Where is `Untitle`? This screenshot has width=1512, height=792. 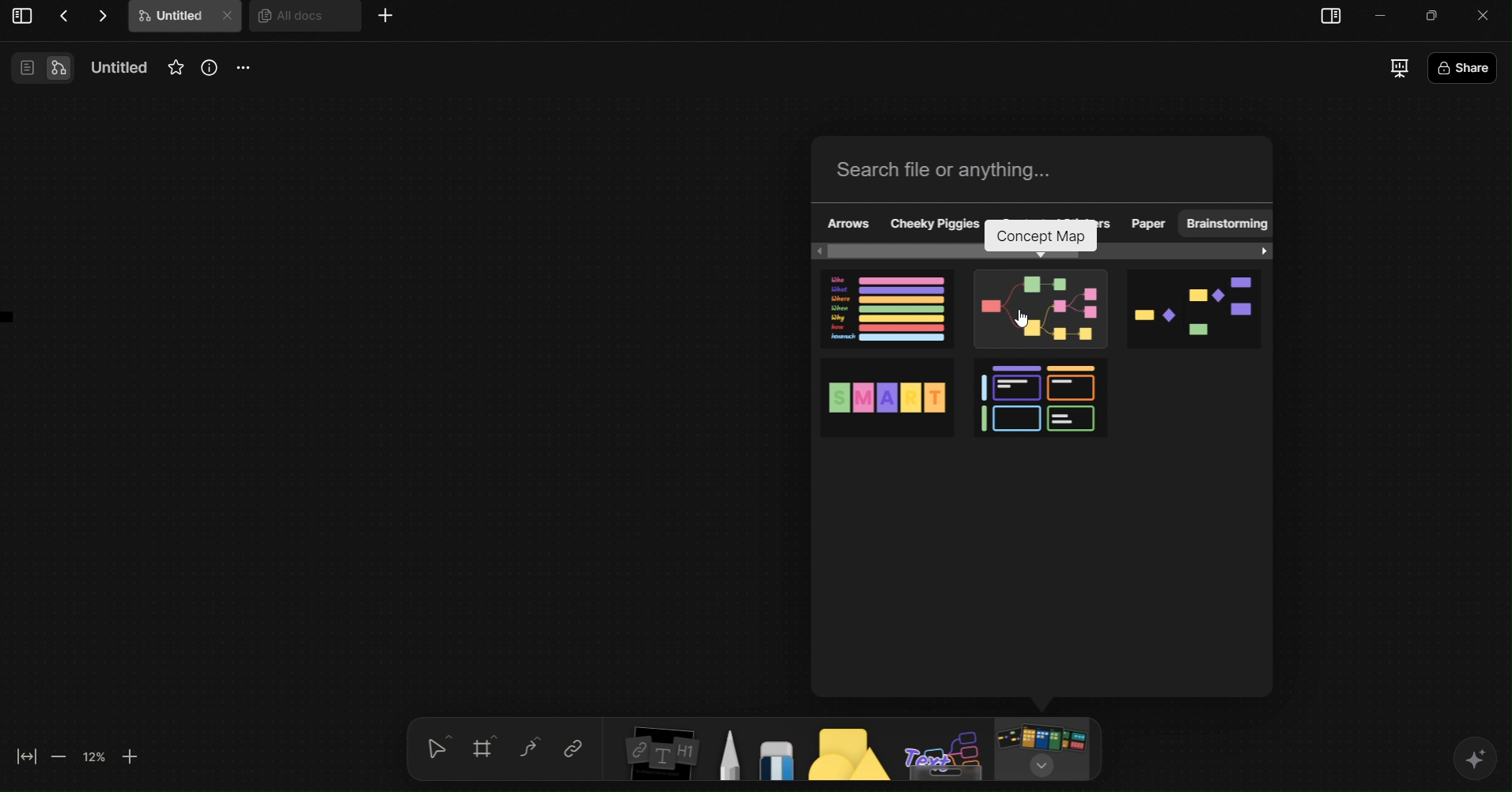 Untitle is located at coordinates (185, 19).